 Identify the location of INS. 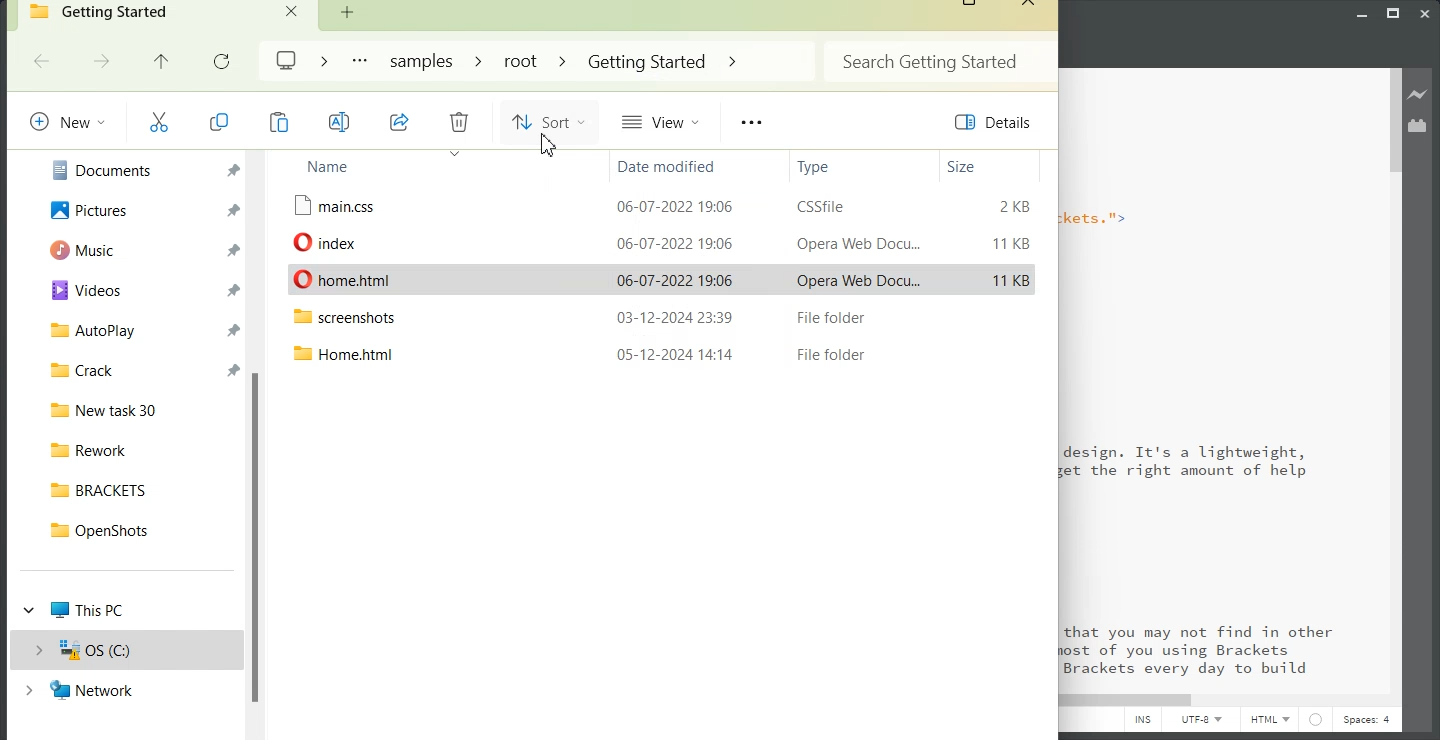
(1142, 722).